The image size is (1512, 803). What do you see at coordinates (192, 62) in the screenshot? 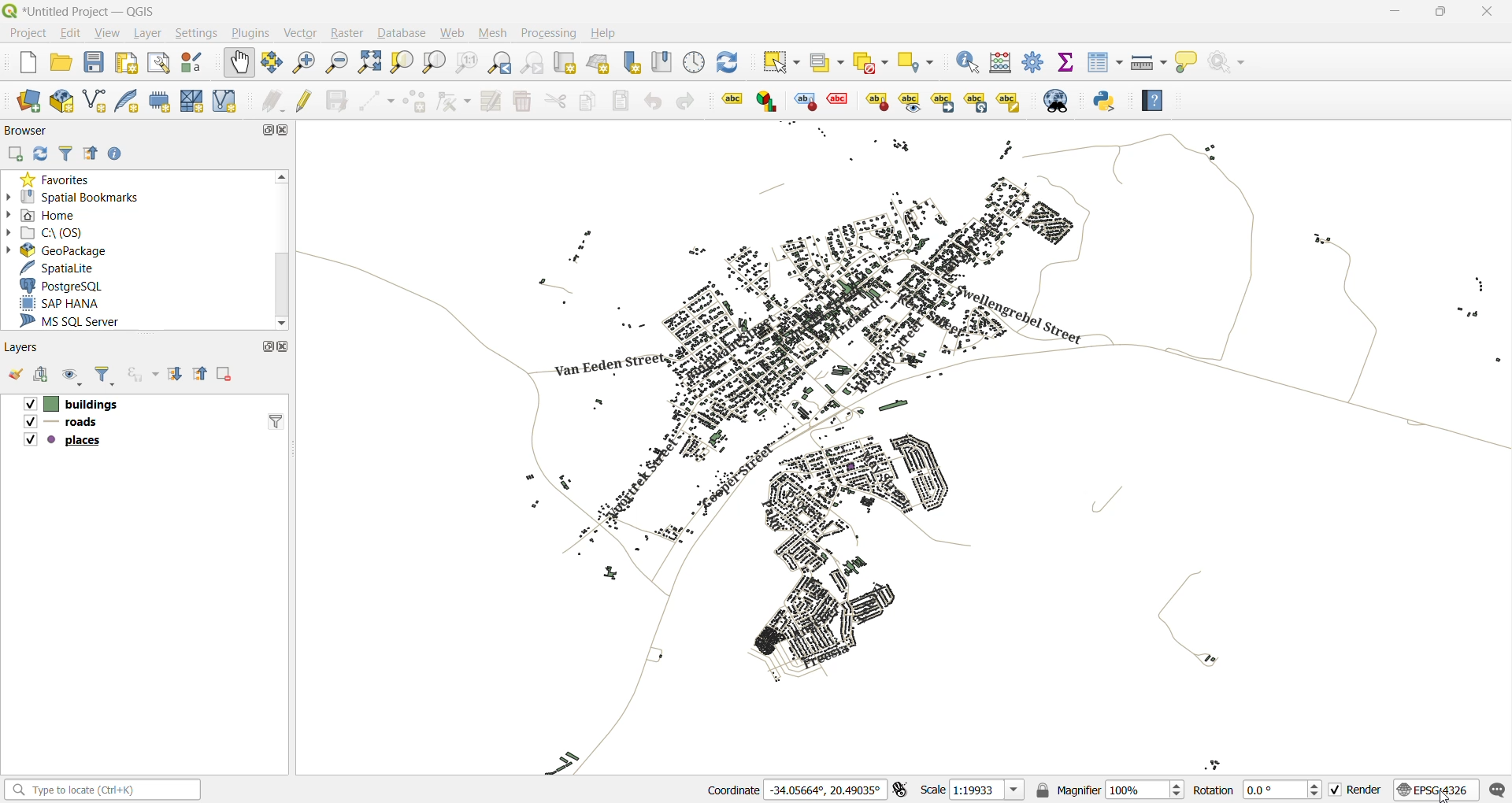
I see `style manager` at bounding box center [192, 62].